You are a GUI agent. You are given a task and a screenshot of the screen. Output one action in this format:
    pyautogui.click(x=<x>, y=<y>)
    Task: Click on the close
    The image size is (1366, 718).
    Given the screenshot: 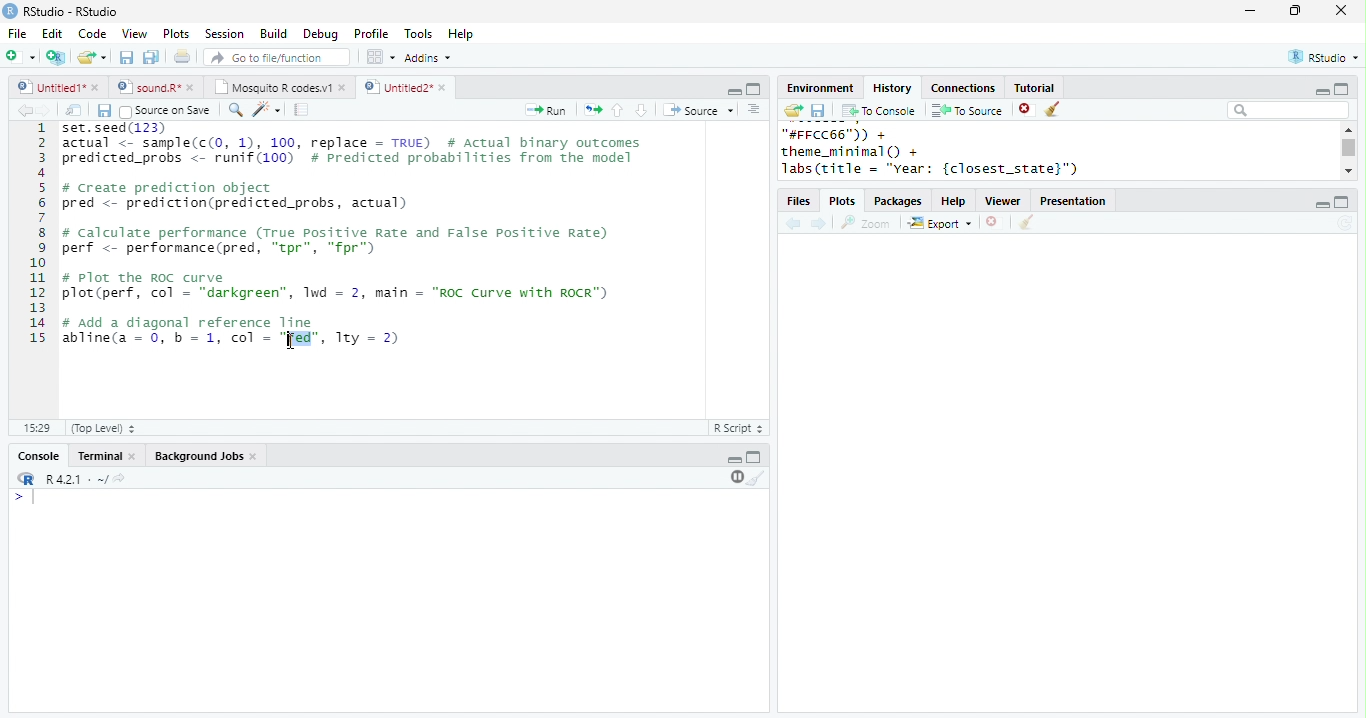 What is the action you would take?
    pyautogui.click(x=1342, y=10)
    